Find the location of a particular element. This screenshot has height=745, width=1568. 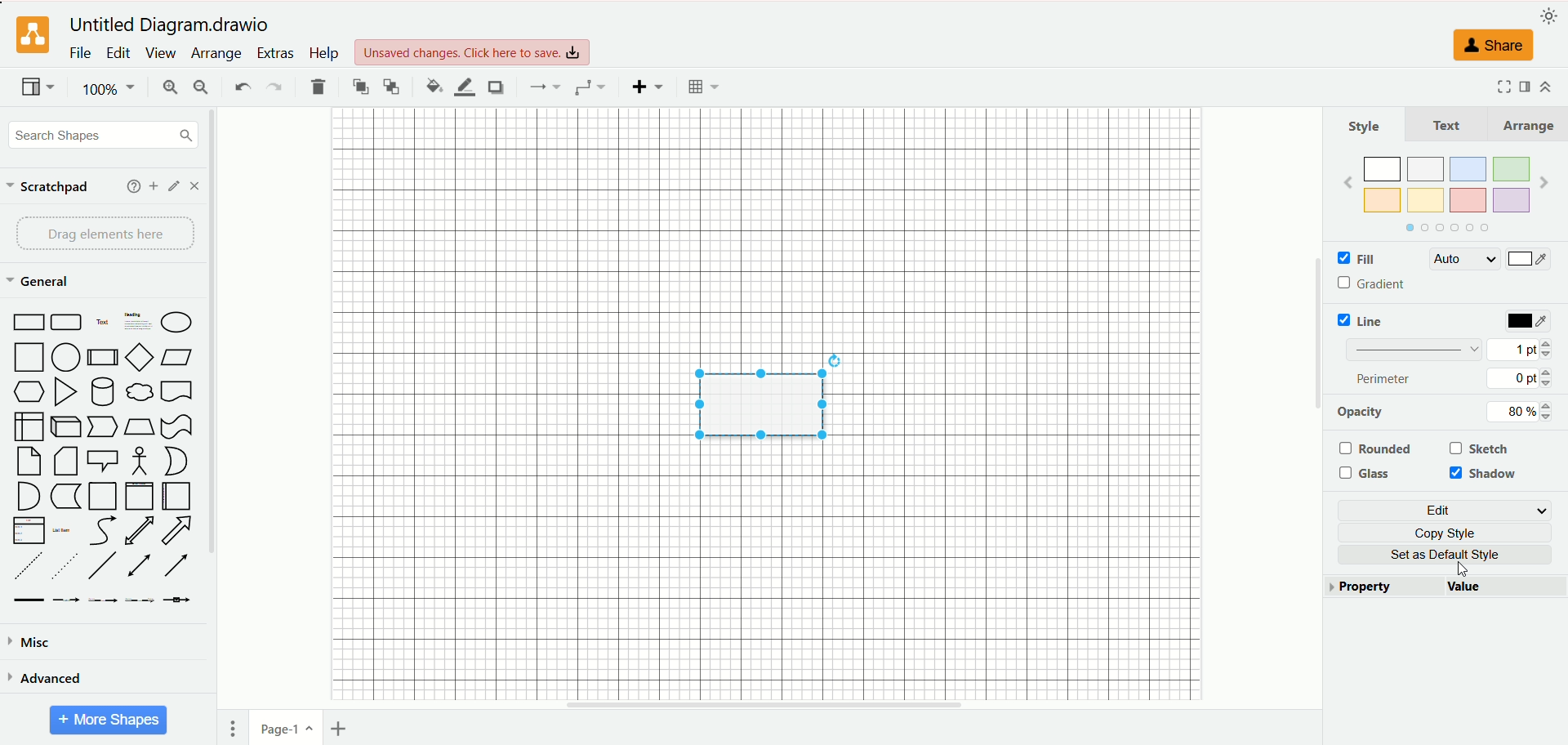

text is located at coordinates (1447, 124).